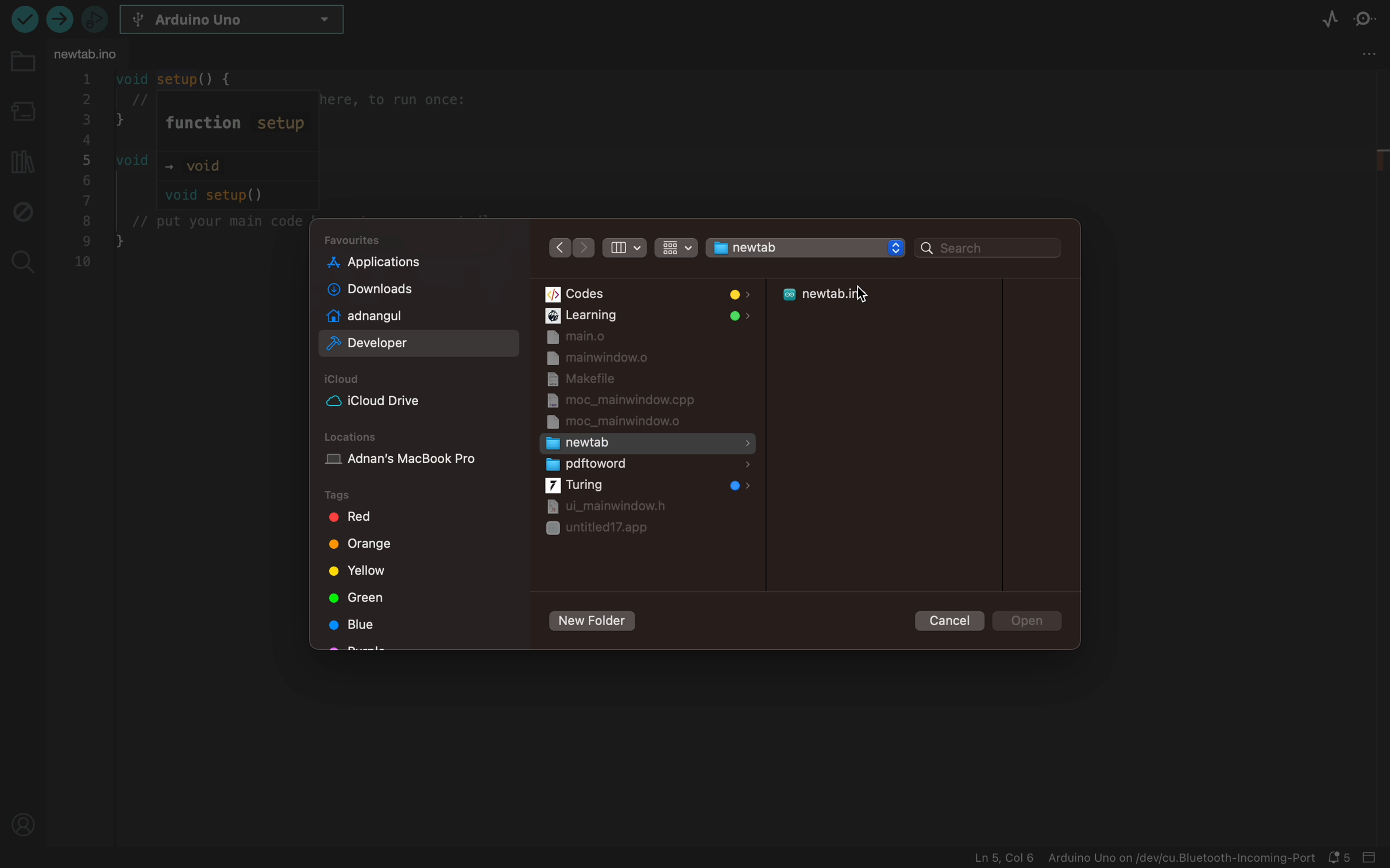 This screenshot has height=868, width=1390. Describe the element at coordinates (353, 495) in the screenshot. I see `tags` at that location.